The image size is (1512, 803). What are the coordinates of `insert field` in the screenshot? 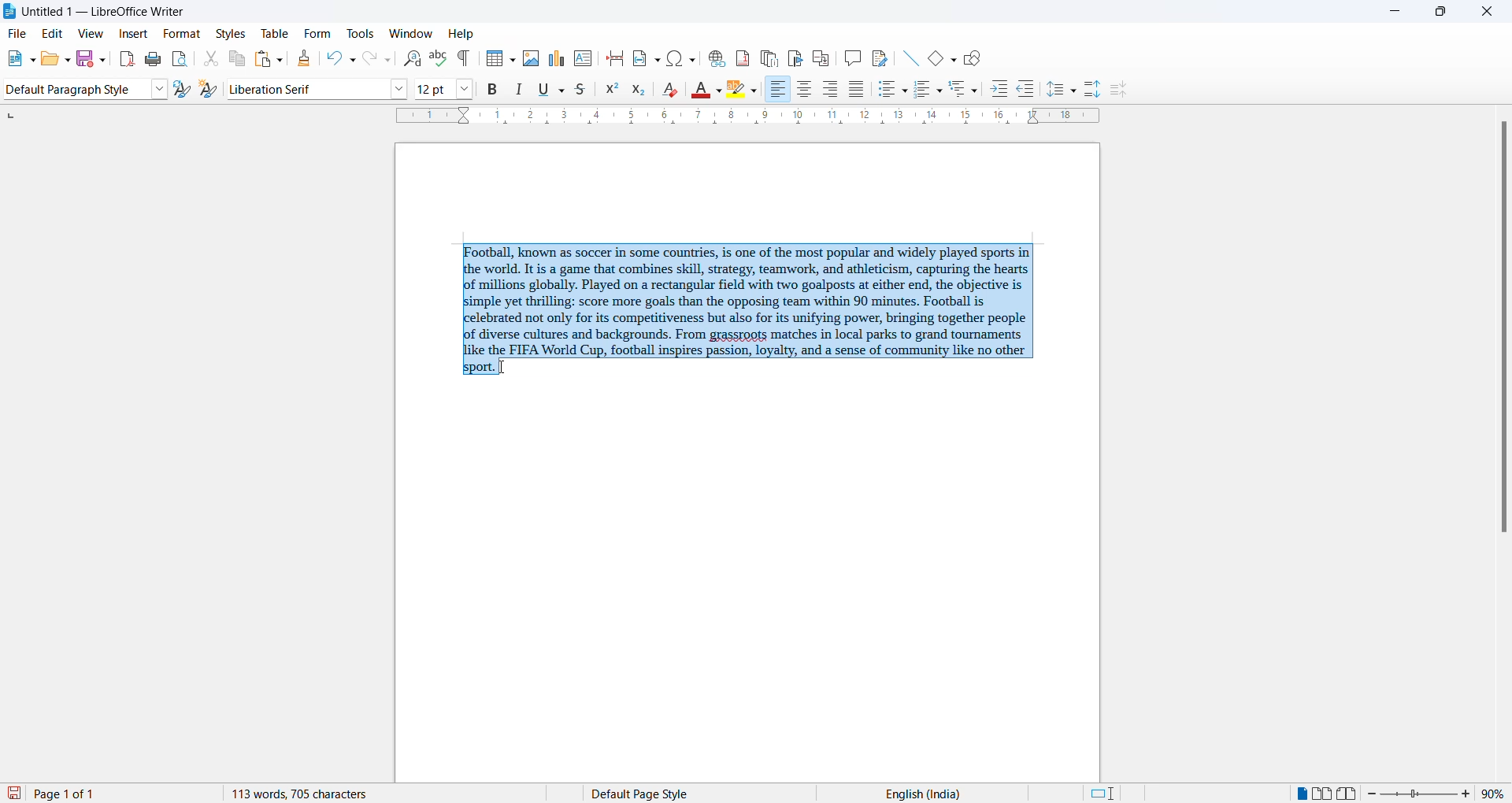 It's located at (644, 59).